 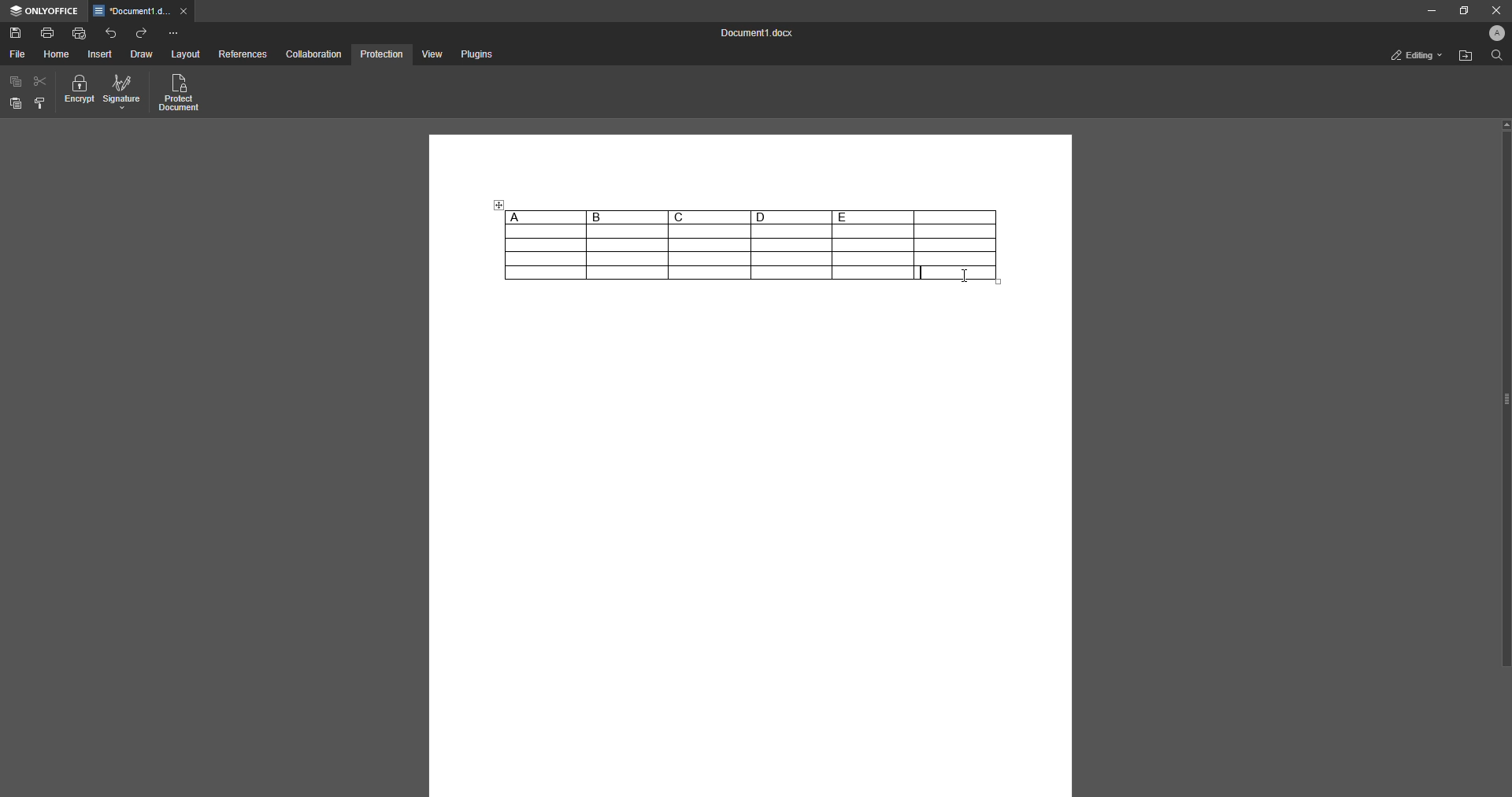 I want to click on Editing, so click(x=1412, y=55).